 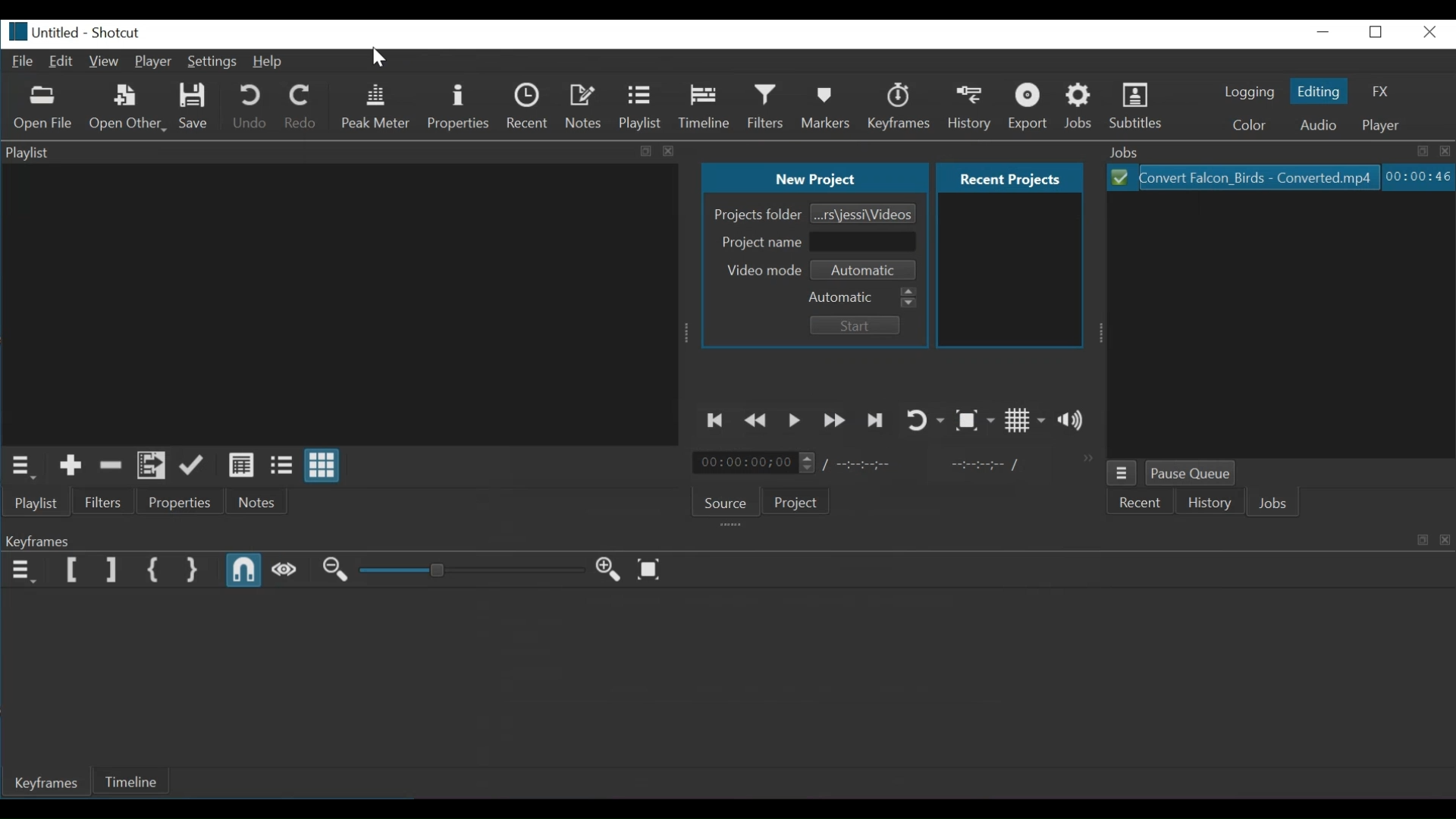 What do you see at coordinates (302, 108) in the screenshot?
I see `Redo` at bounding box center [302, 108].